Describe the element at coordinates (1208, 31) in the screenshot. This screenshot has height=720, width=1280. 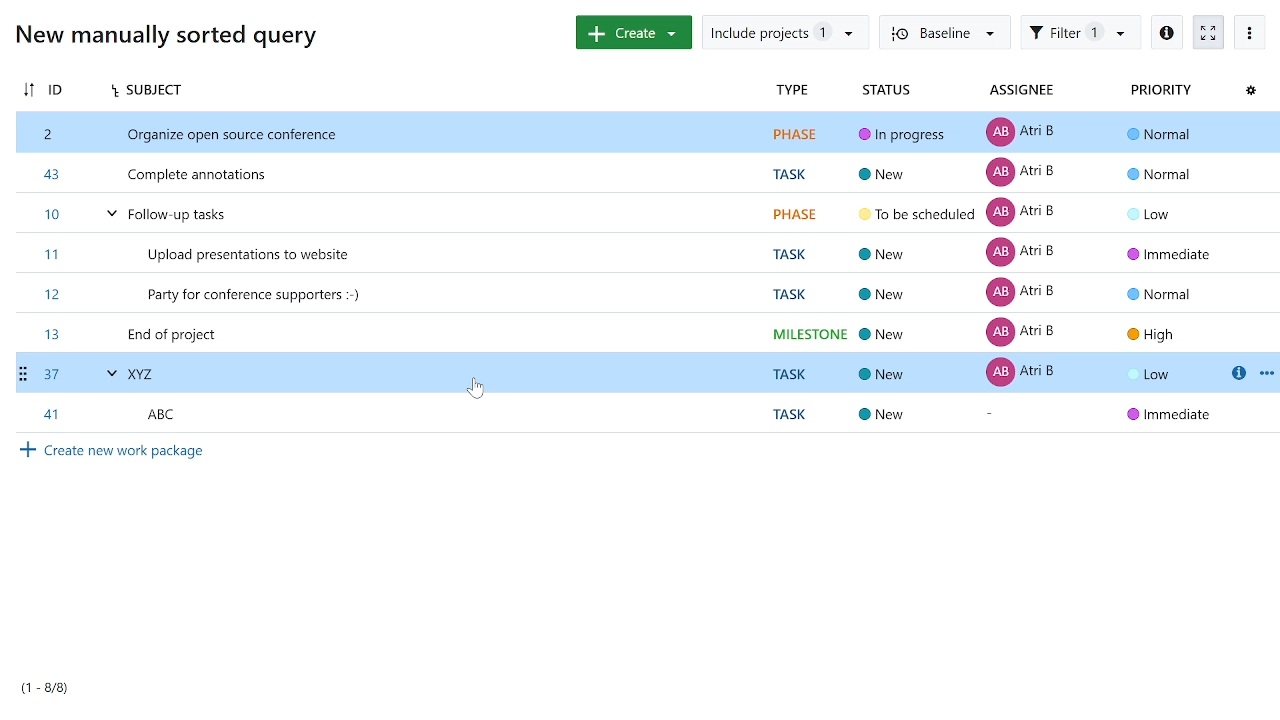
I see `activate zen mode` at that location.